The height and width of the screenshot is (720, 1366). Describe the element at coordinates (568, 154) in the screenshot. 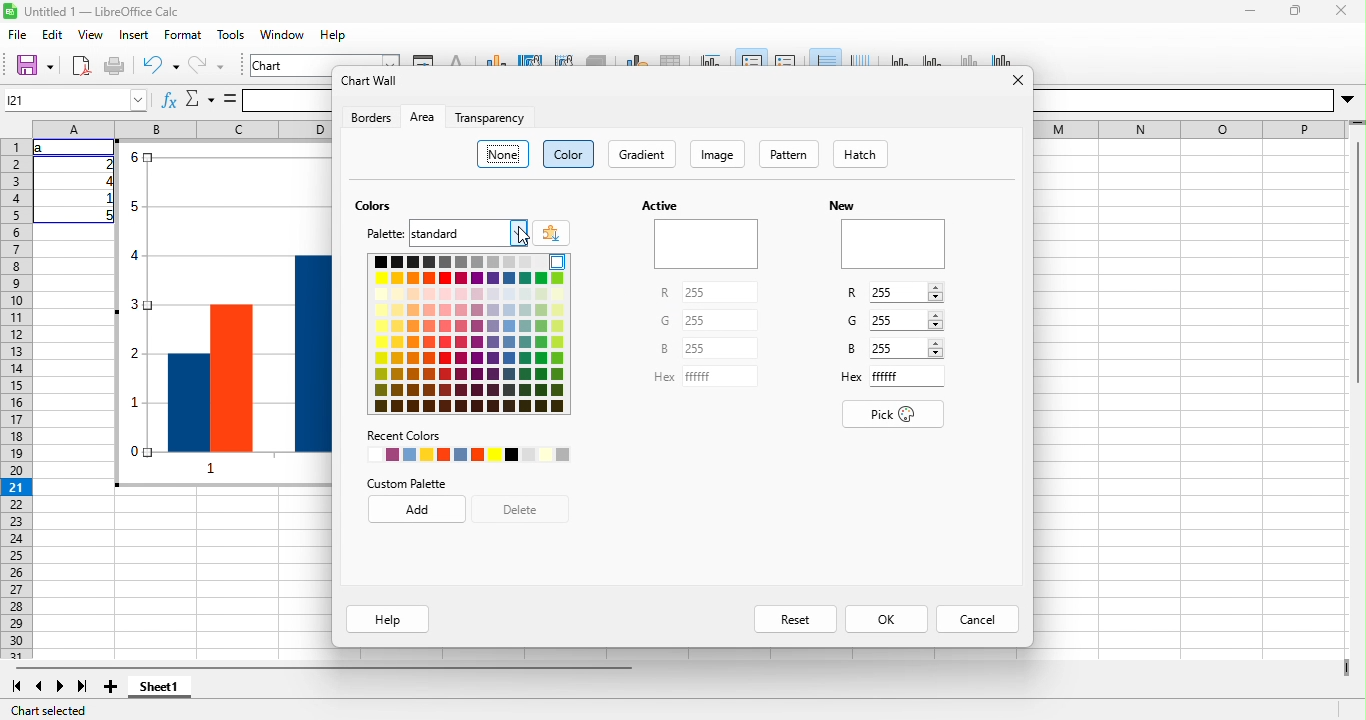

I see `color` at that location.